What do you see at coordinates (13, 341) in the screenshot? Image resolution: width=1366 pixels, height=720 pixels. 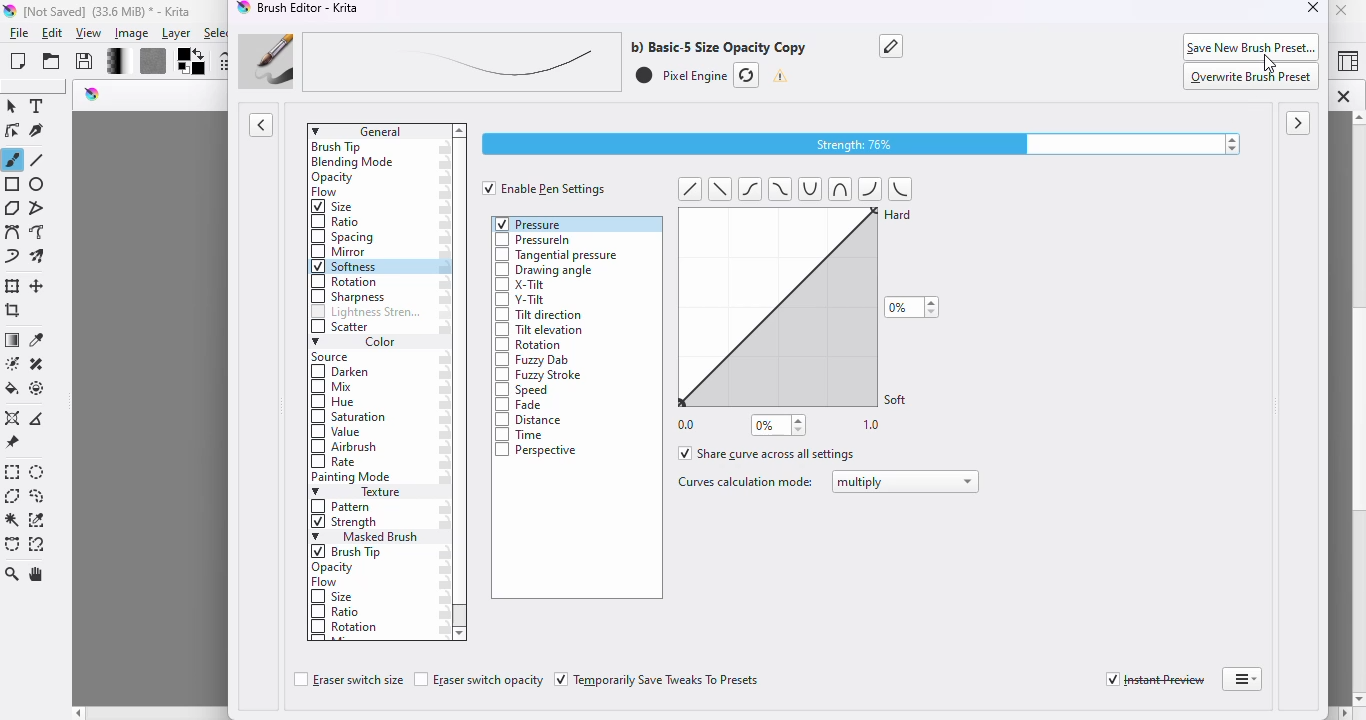 I see `draw a gradient` at bounding box center [13, 341].